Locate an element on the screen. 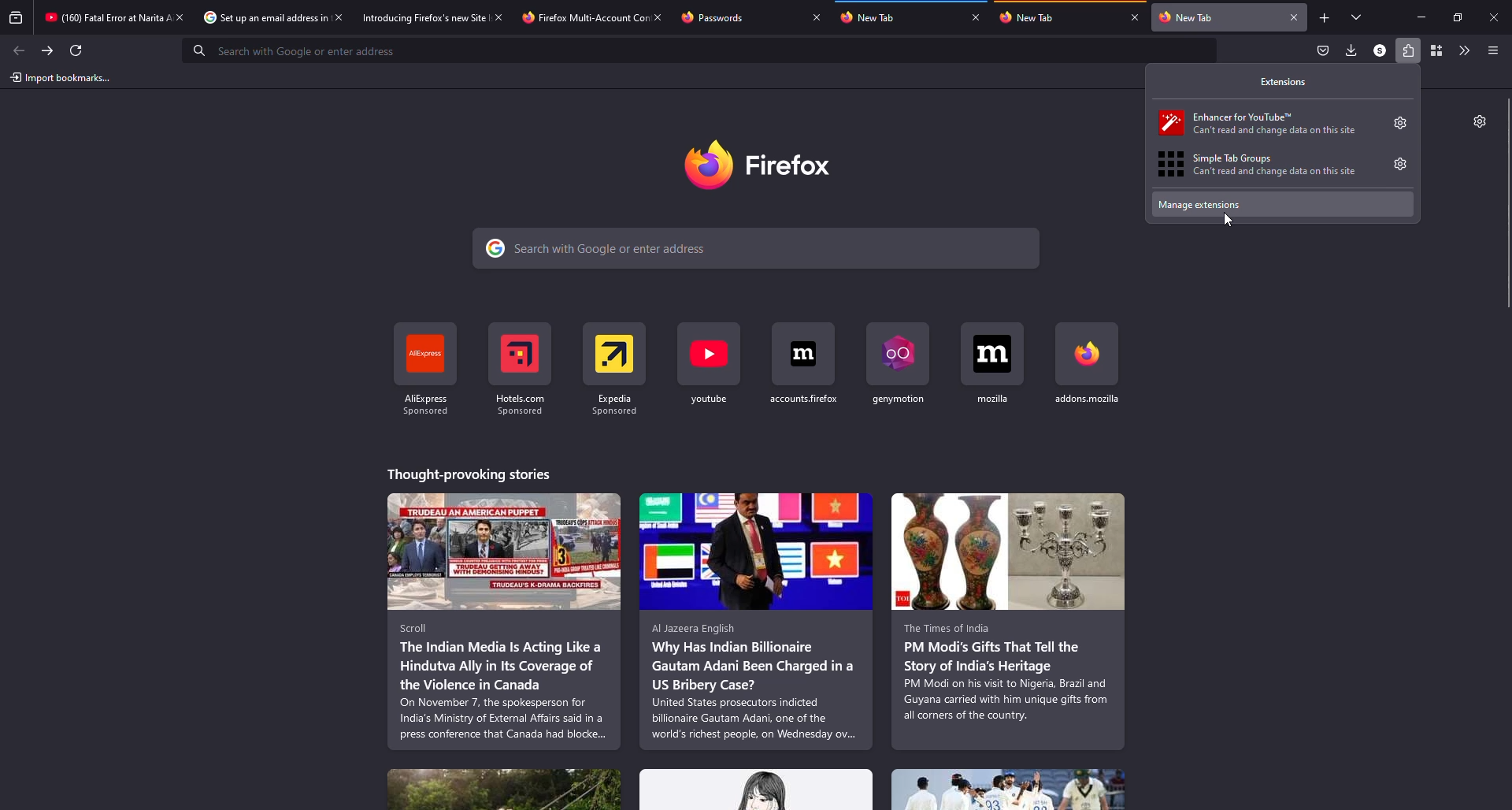 Image resolution: width=1512 pixels, height=810 pixels. shortcut is located at coordinates (624, 366).